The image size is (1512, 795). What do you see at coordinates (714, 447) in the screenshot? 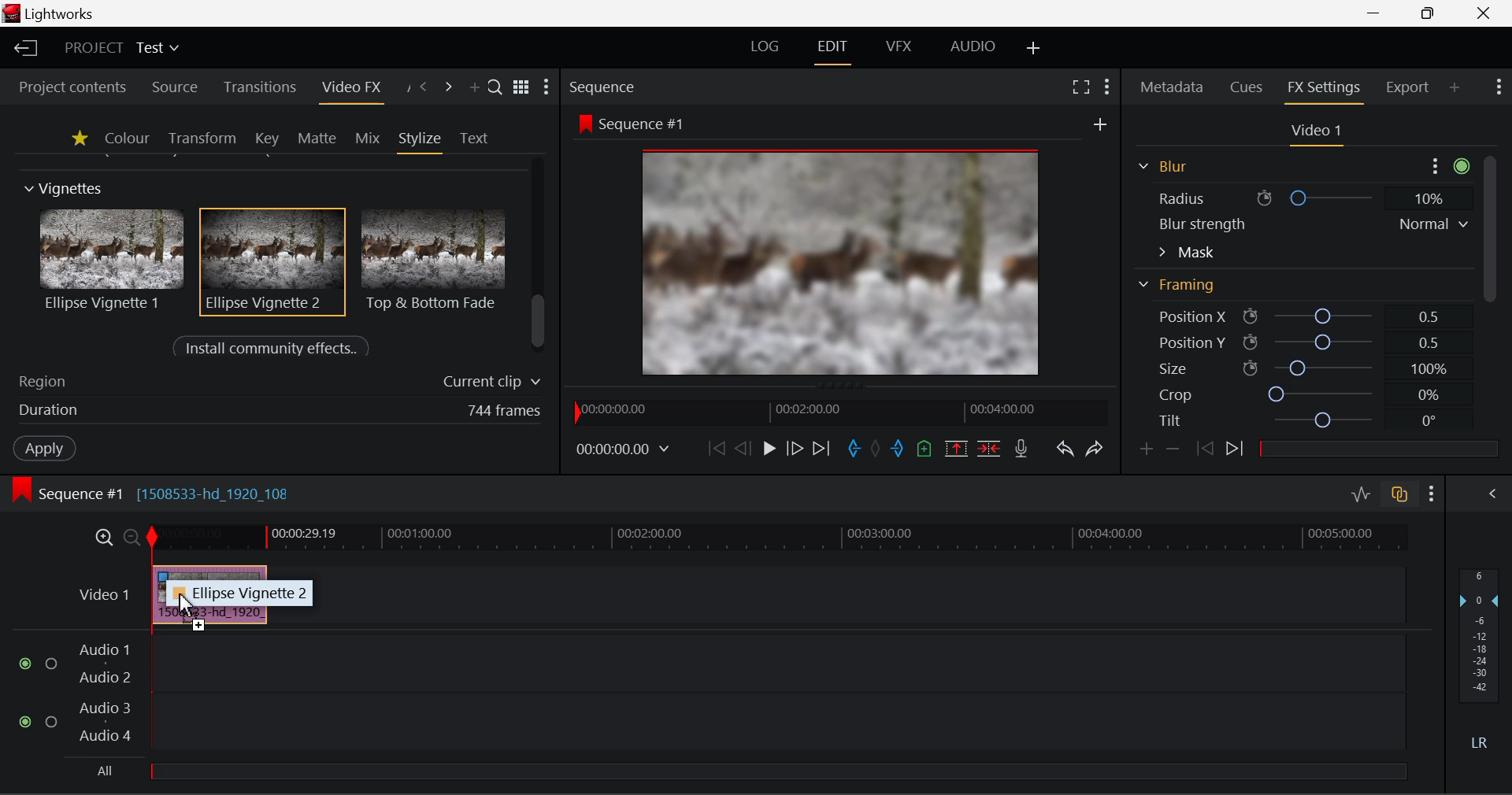
I see `To Start` at bounding box center [714, 447].